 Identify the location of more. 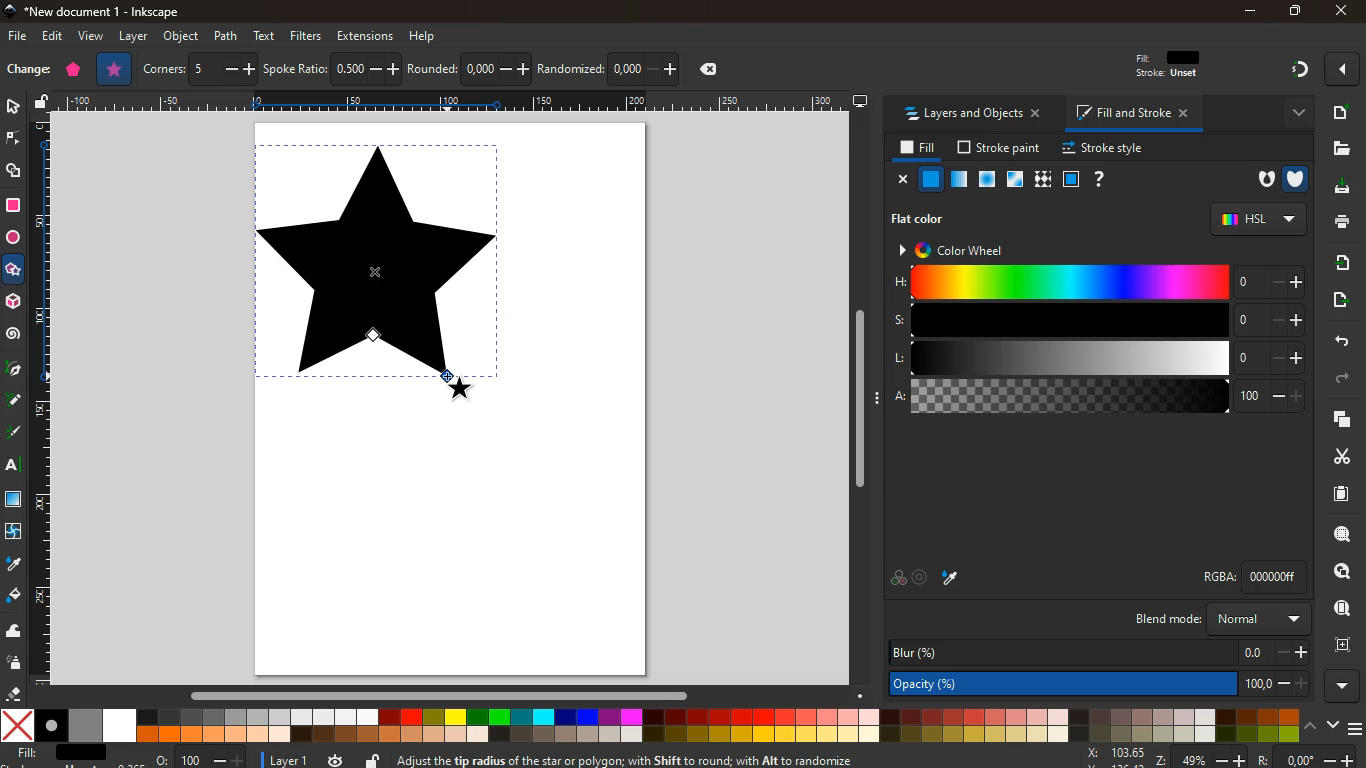
(1340, 71).